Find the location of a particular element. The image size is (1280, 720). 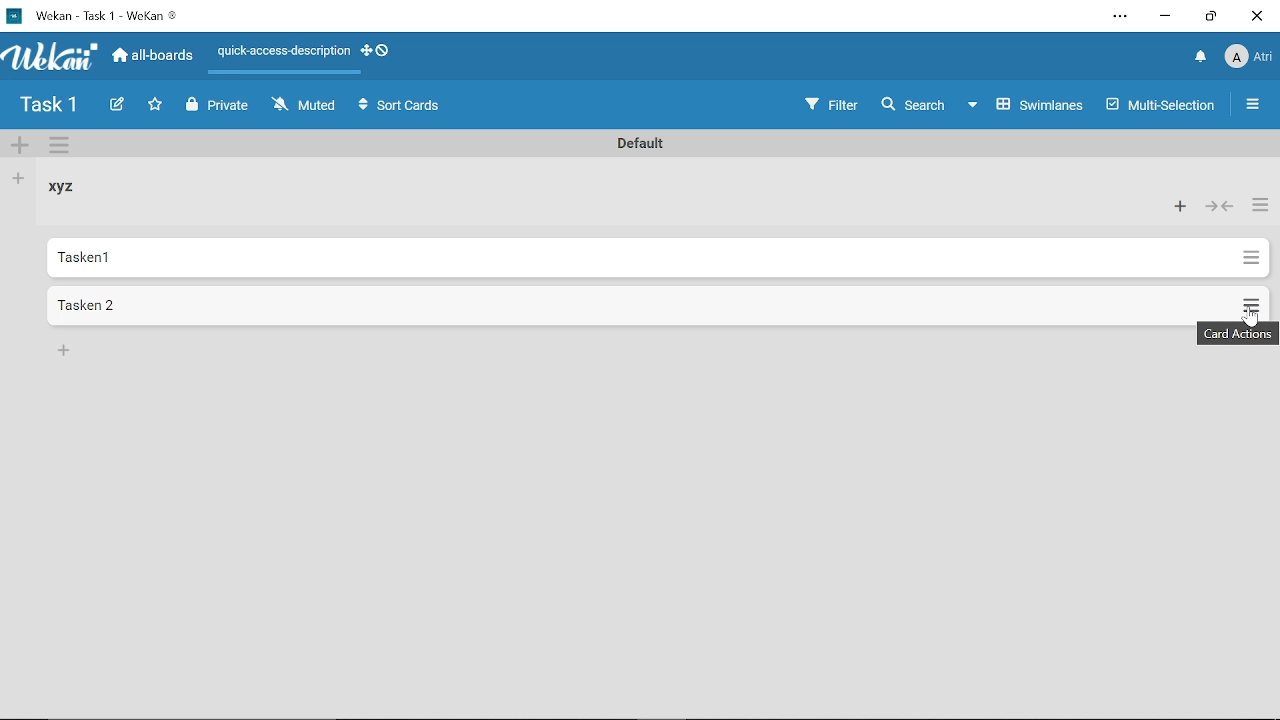

Edit is located at coordinates (118, 105).